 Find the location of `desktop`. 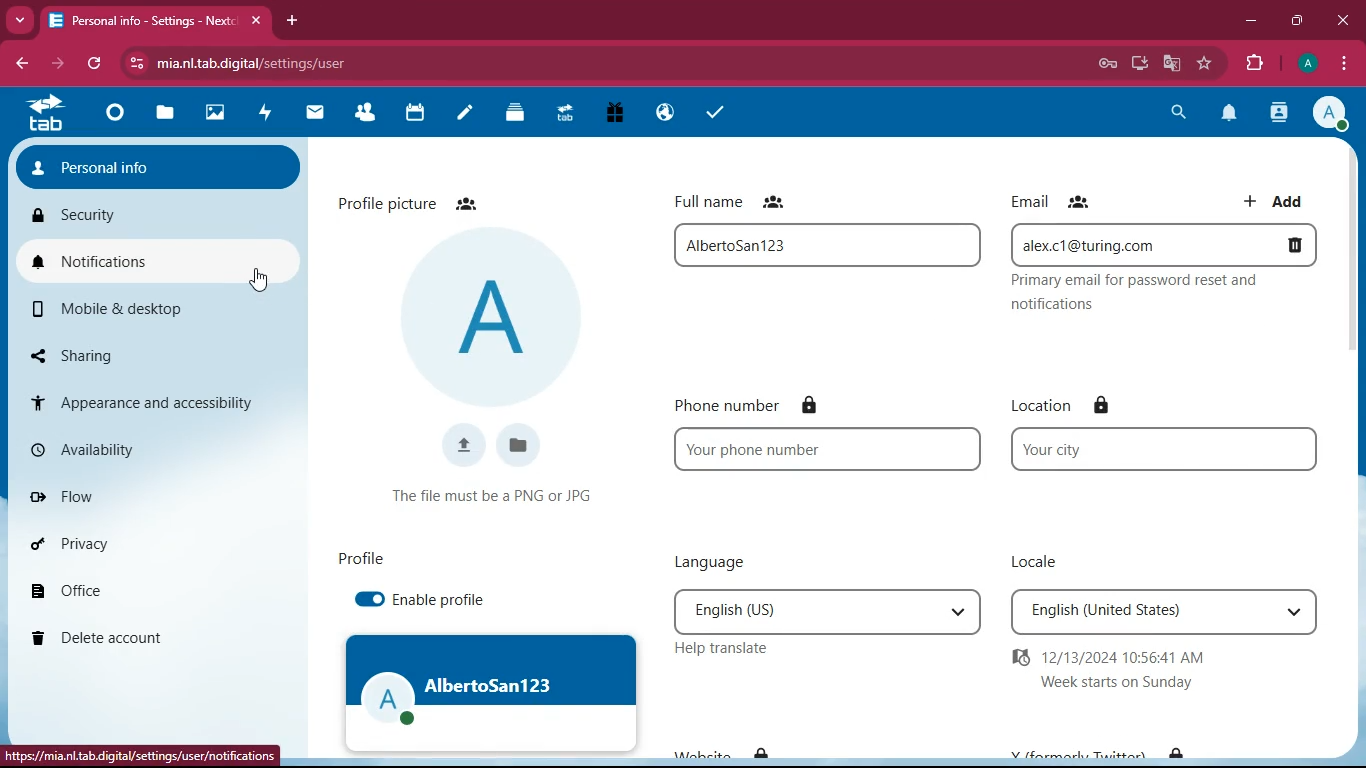

desktop is located at coordinates (1136, 64).